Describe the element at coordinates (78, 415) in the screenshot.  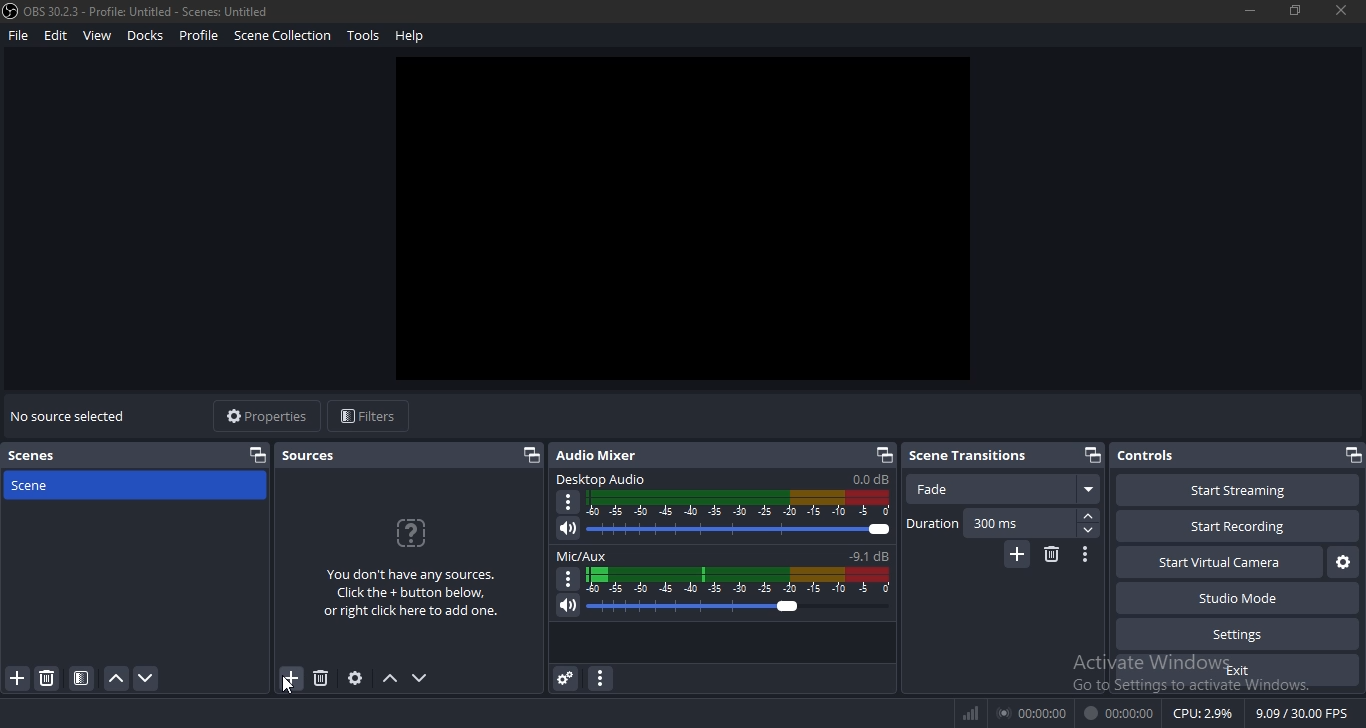
I see `text` at that location.